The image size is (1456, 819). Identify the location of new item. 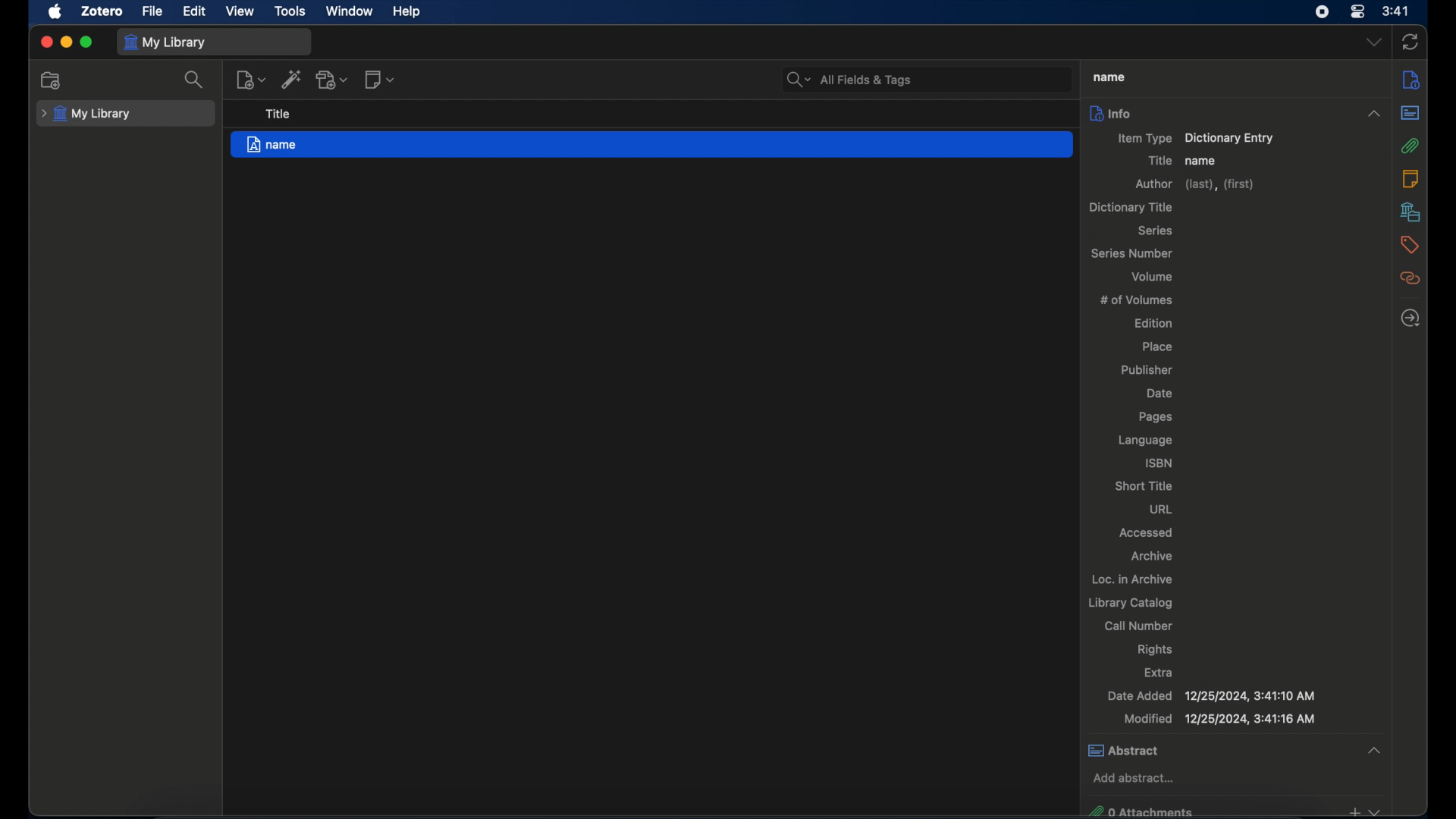
(250, 79).